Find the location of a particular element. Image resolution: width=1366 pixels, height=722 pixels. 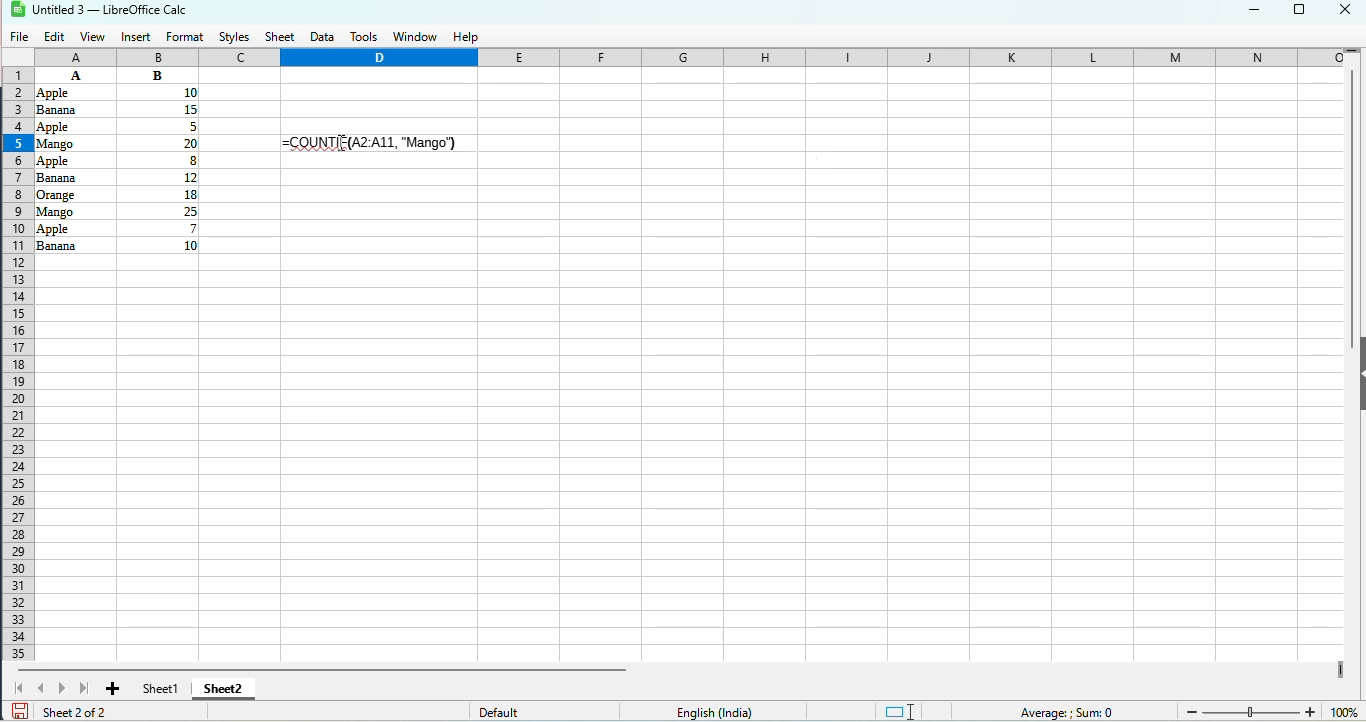

format is located at coordinates (184, 38).